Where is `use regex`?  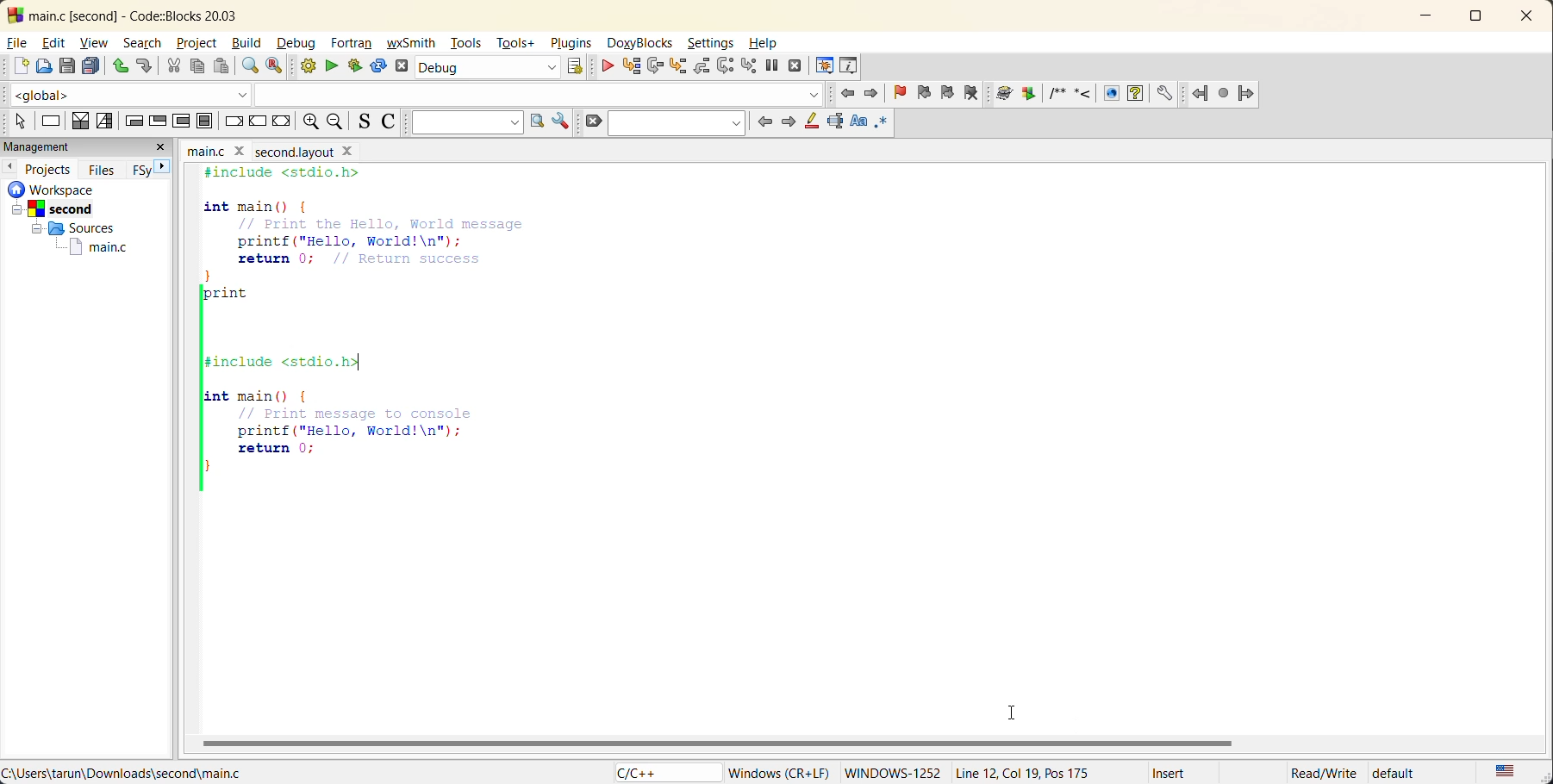 use regex is located at coordinates (883, 124).